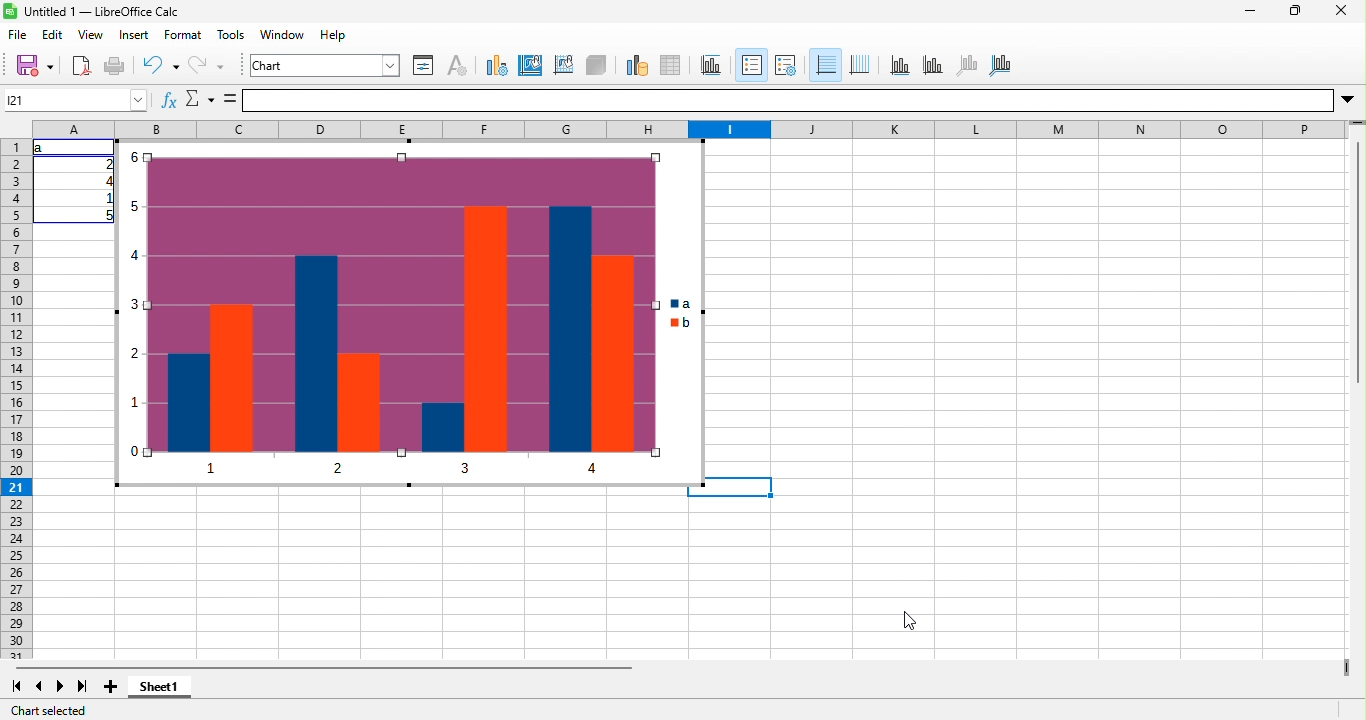  What do you see at coordinates (497, 67) in the screenshot?
I see `chart type` at bounding box center [497, 67].